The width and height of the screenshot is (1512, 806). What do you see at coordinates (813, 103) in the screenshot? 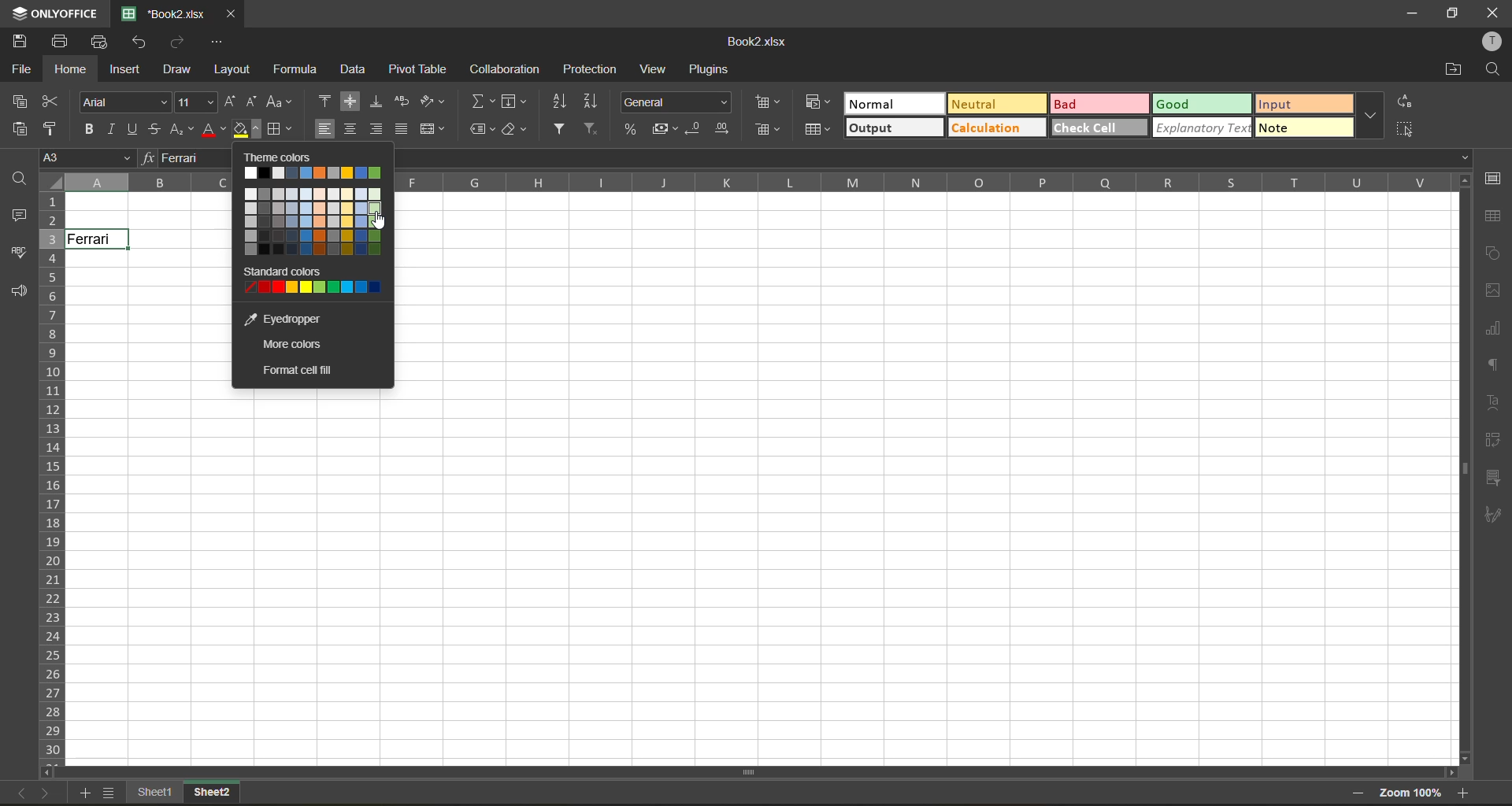
I see `conditional formatting` at bounding box center [813, 103].